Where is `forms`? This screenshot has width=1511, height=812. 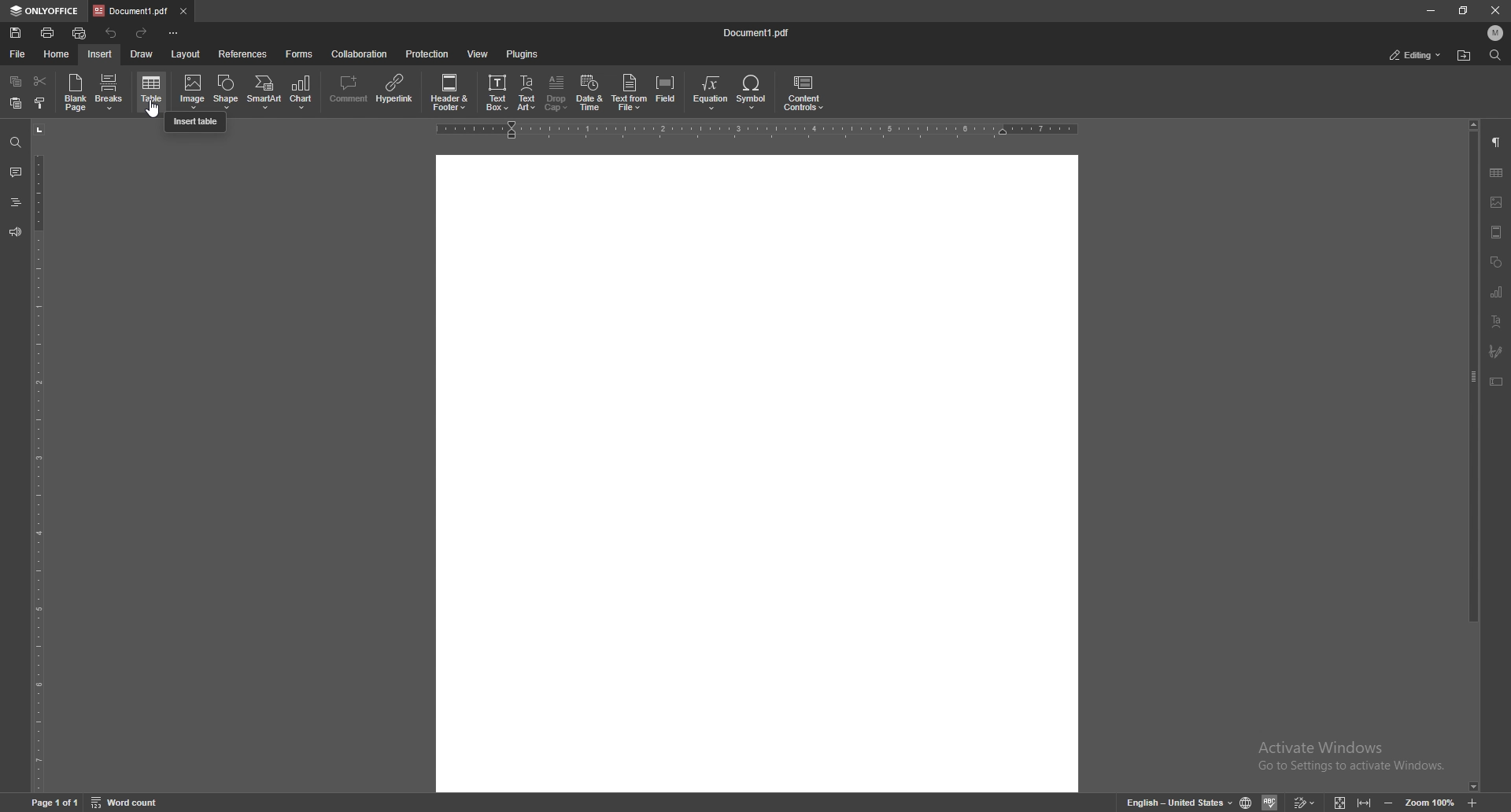
forms is located at coordinates (299, 54).